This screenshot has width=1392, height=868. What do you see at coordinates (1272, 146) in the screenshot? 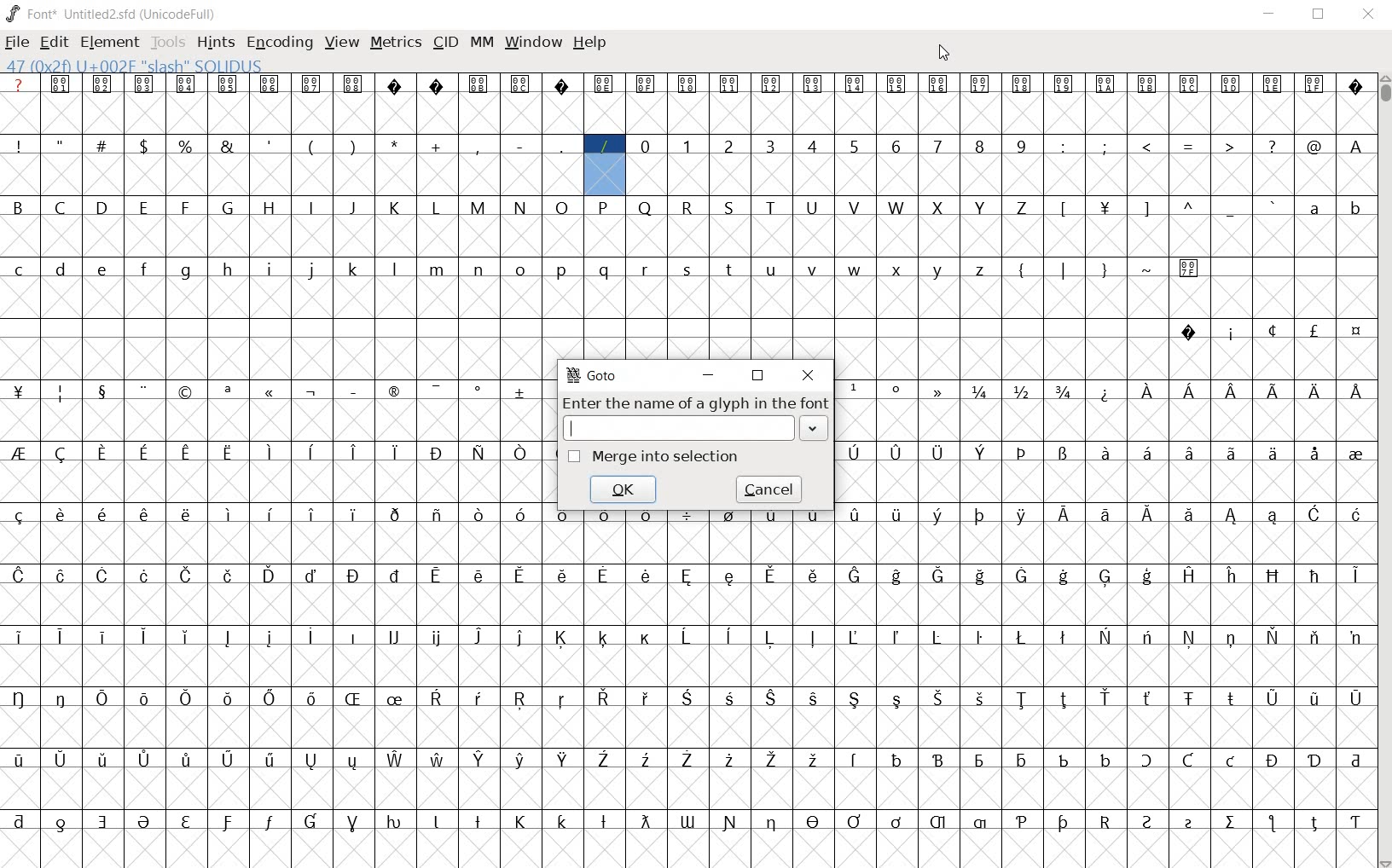
I see `glyph` at bounding box center [1272, 146].